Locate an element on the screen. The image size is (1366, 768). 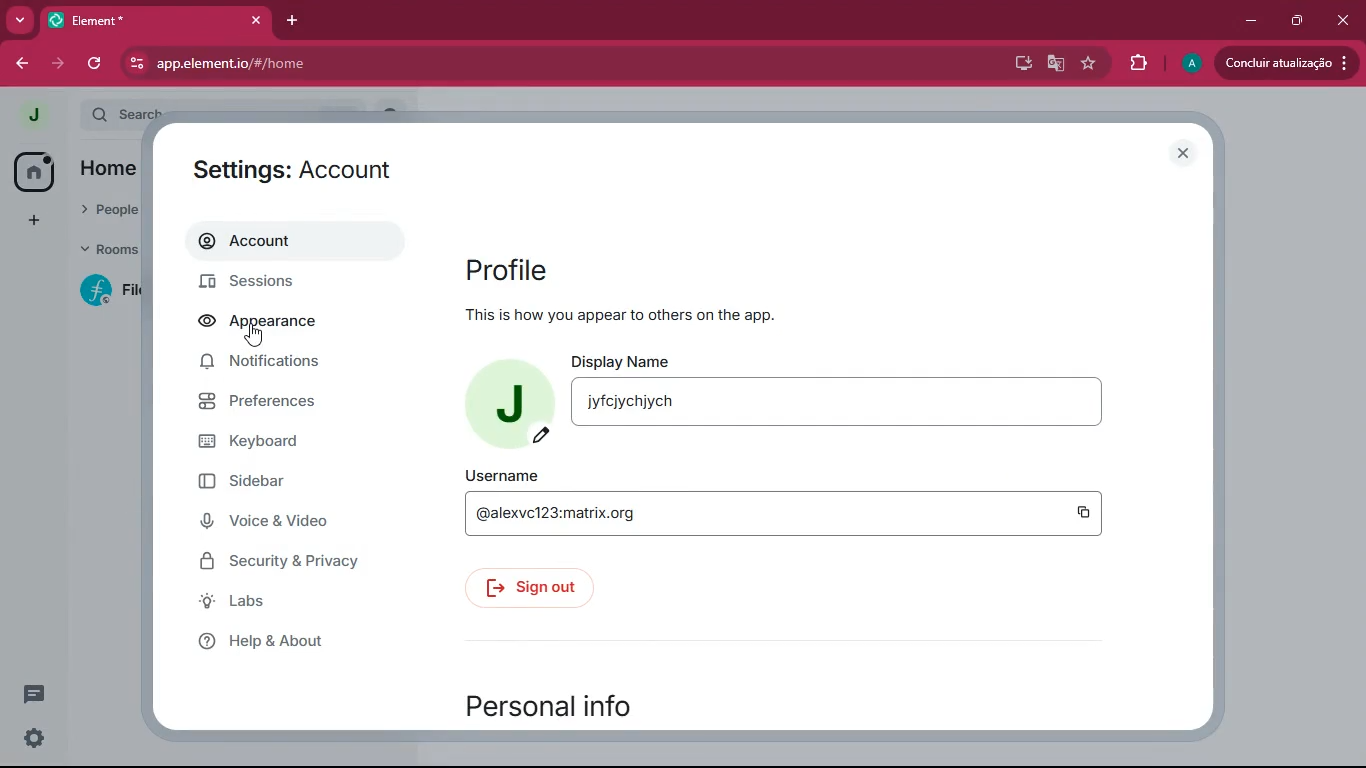
conversations is located at coordinates (26, 692).